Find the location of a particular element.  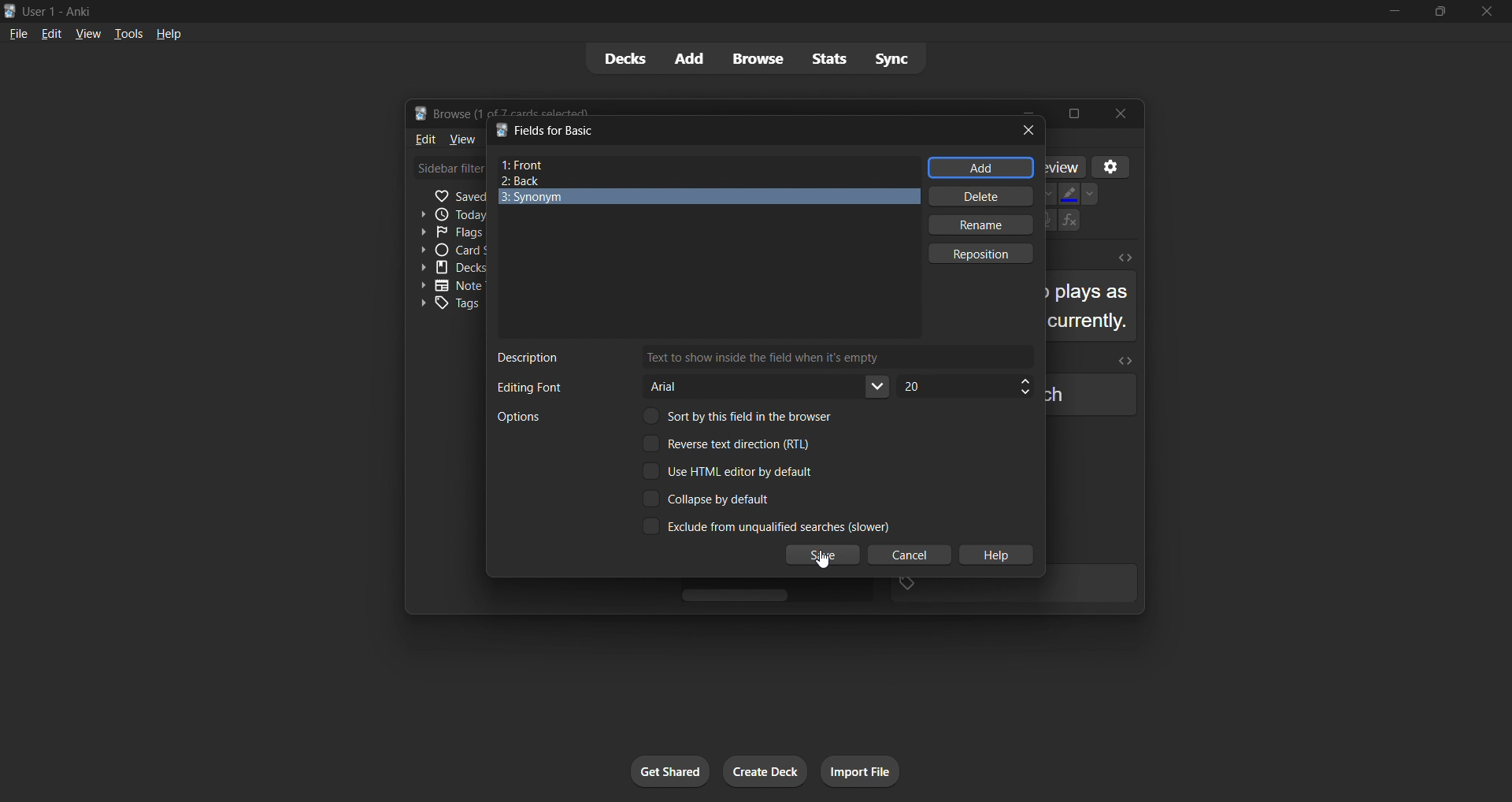

help is located at coordinates (166, 31).